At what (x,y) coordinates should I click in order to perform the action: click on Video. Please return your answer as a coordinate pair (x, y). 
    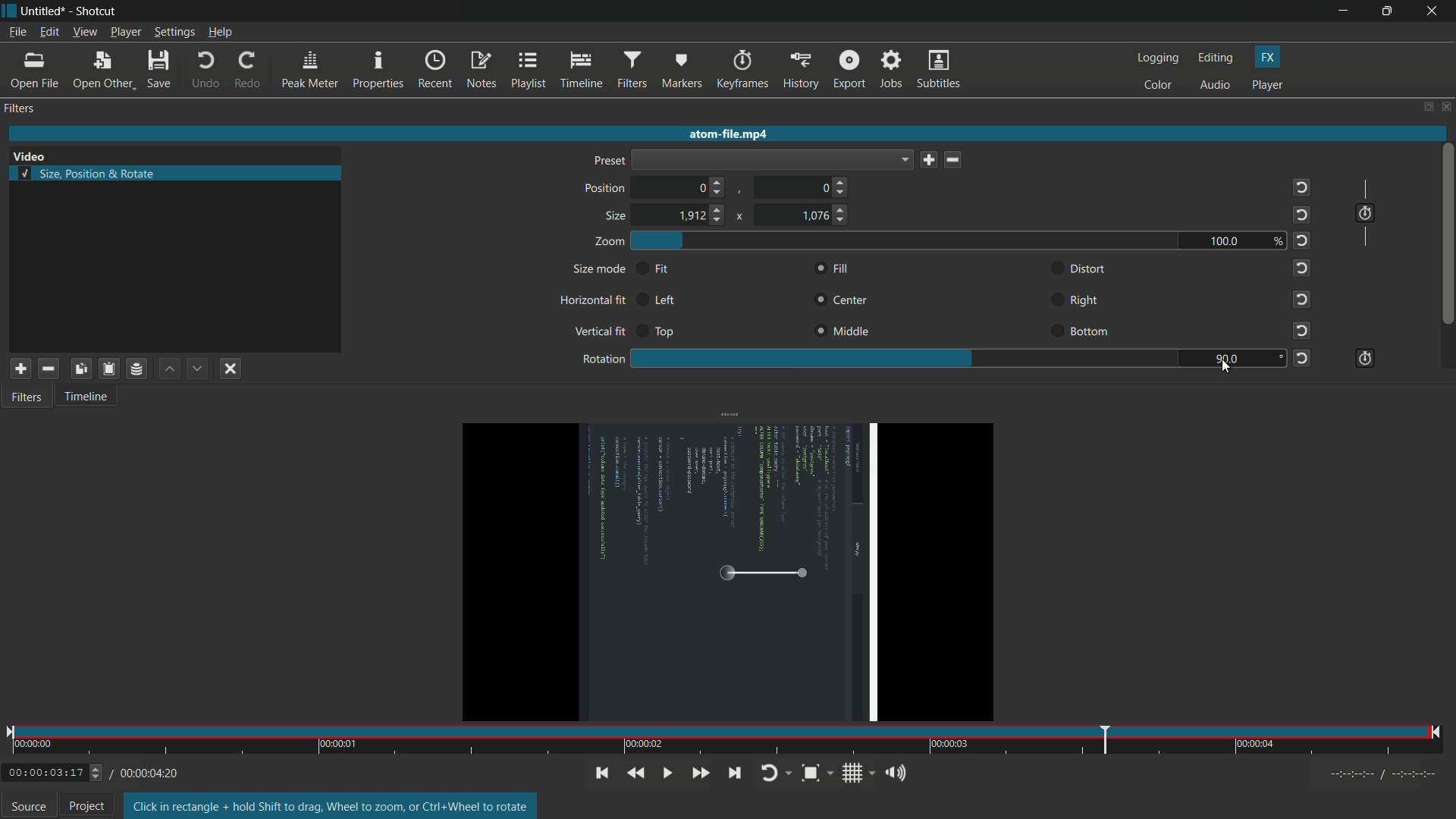
    Looking at the image, I should click on (36, 152).